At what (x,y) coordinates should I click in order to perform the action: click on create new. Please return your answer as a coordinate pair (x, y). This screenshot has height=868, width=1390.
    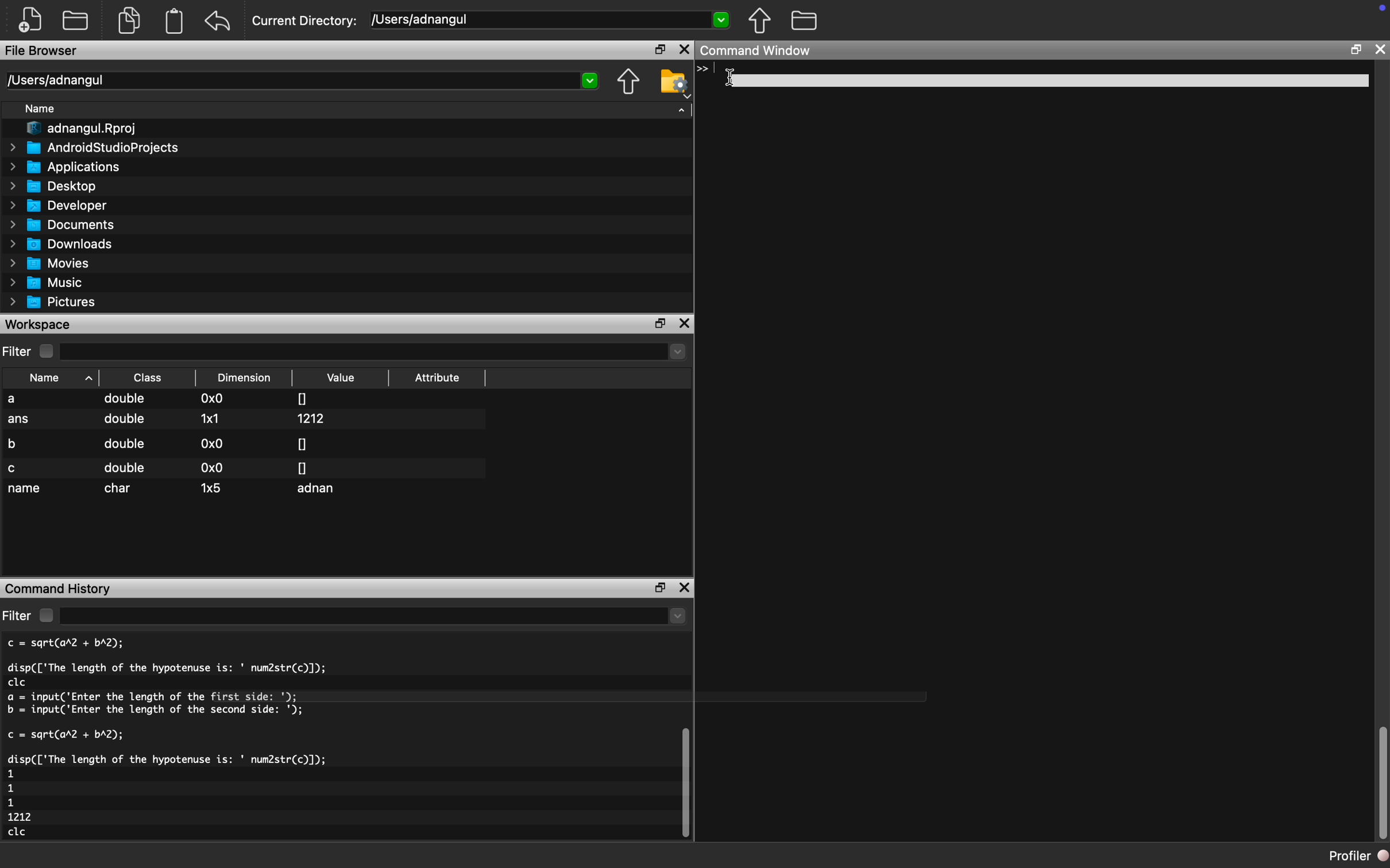
    Looking at the image, I should click on (34, 20).